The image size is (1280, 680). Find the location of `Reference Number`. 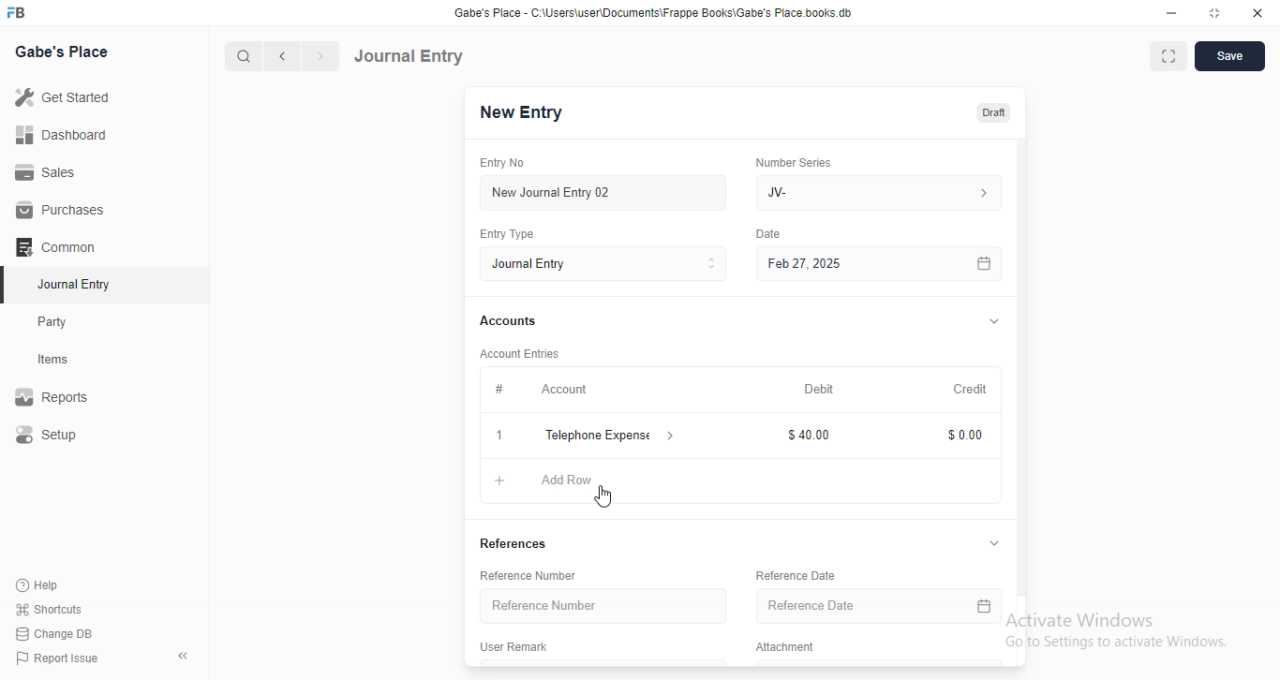

Reference Number is located at coordinates (537, 574).